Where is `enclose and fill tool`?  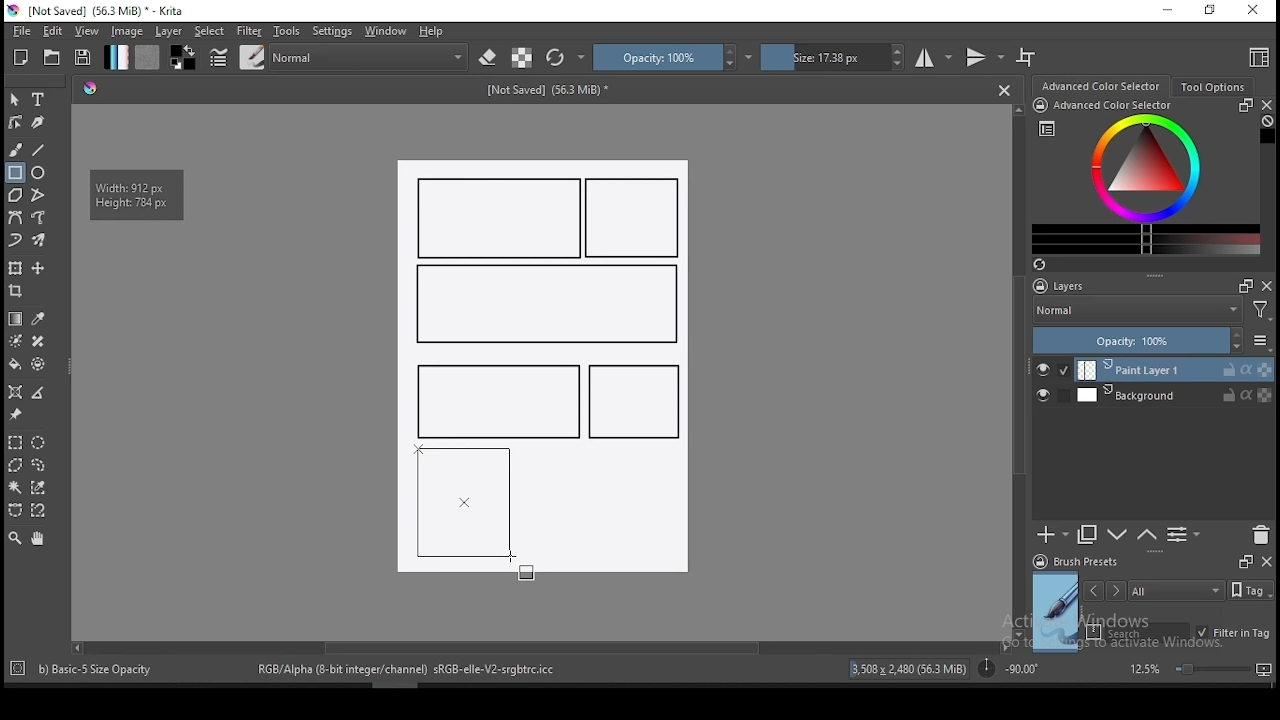 enclose and fill tool is located at coordinates (38, 364).